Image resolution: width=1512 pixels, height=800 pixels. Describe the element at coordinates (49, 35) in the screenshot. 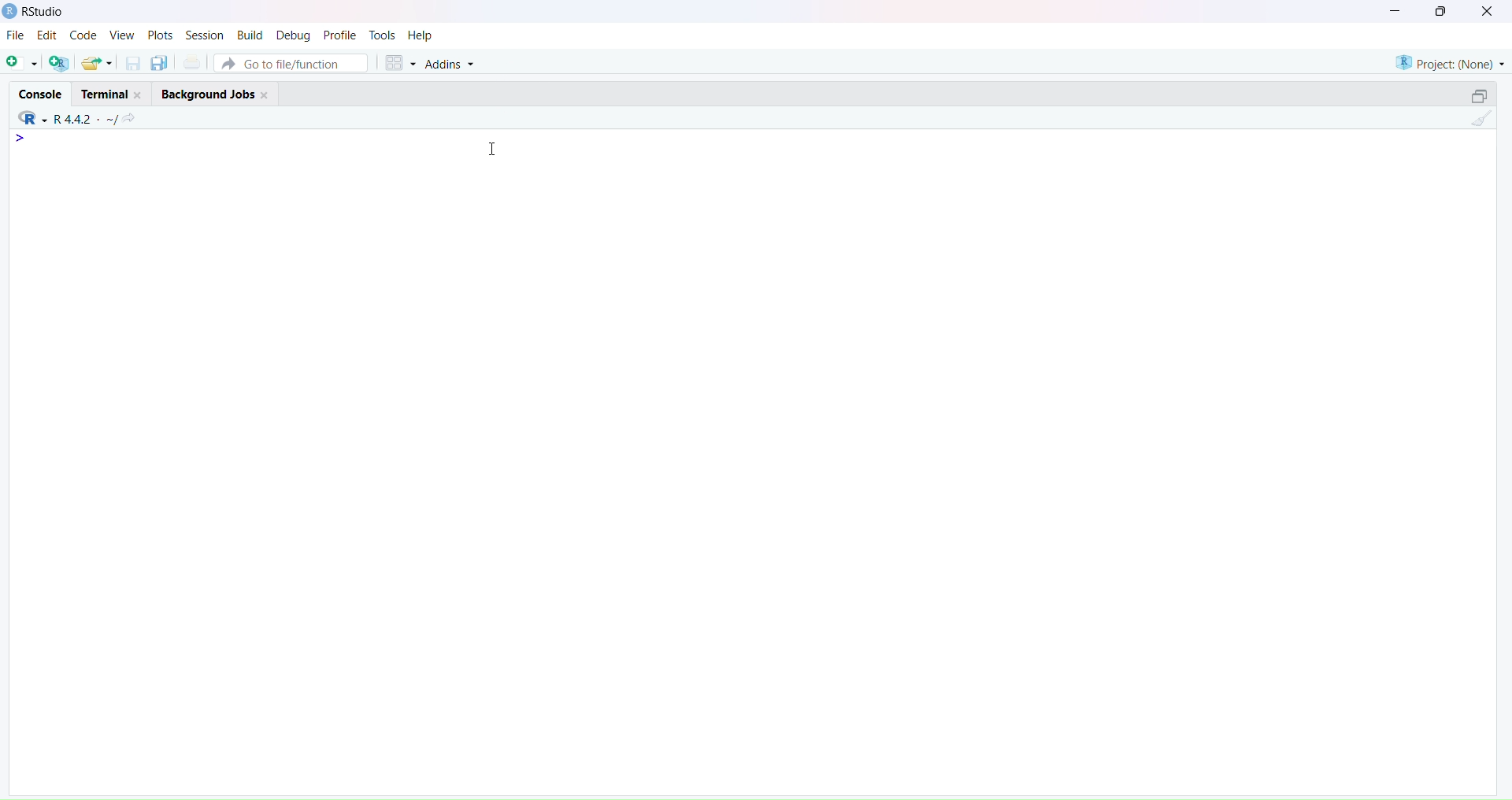

I see `Edit` at that location.